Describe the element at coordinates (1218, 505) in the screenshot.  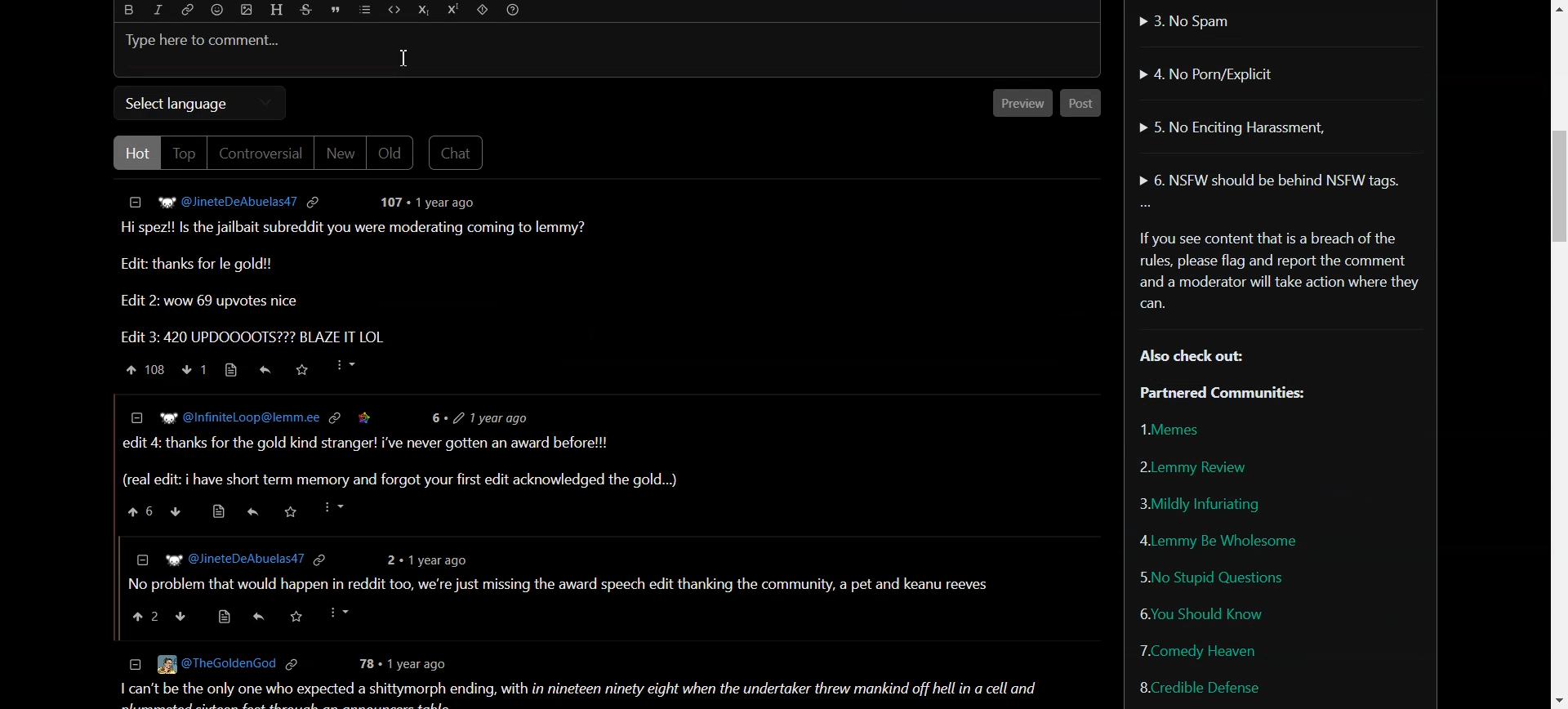
I see `Mildly Infuriating` at that location.